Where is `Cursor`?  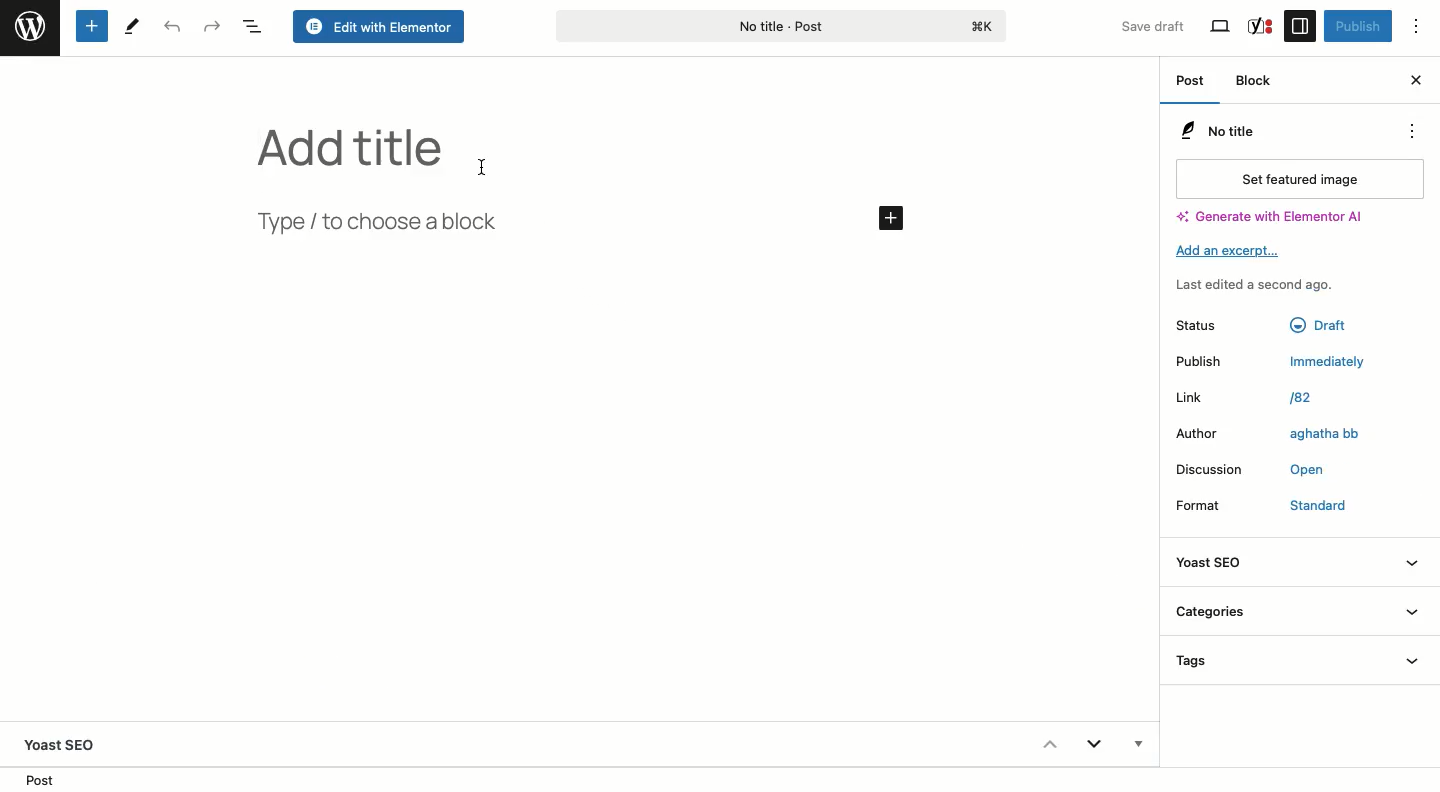
Cursor is located at coordinates (487, 165).